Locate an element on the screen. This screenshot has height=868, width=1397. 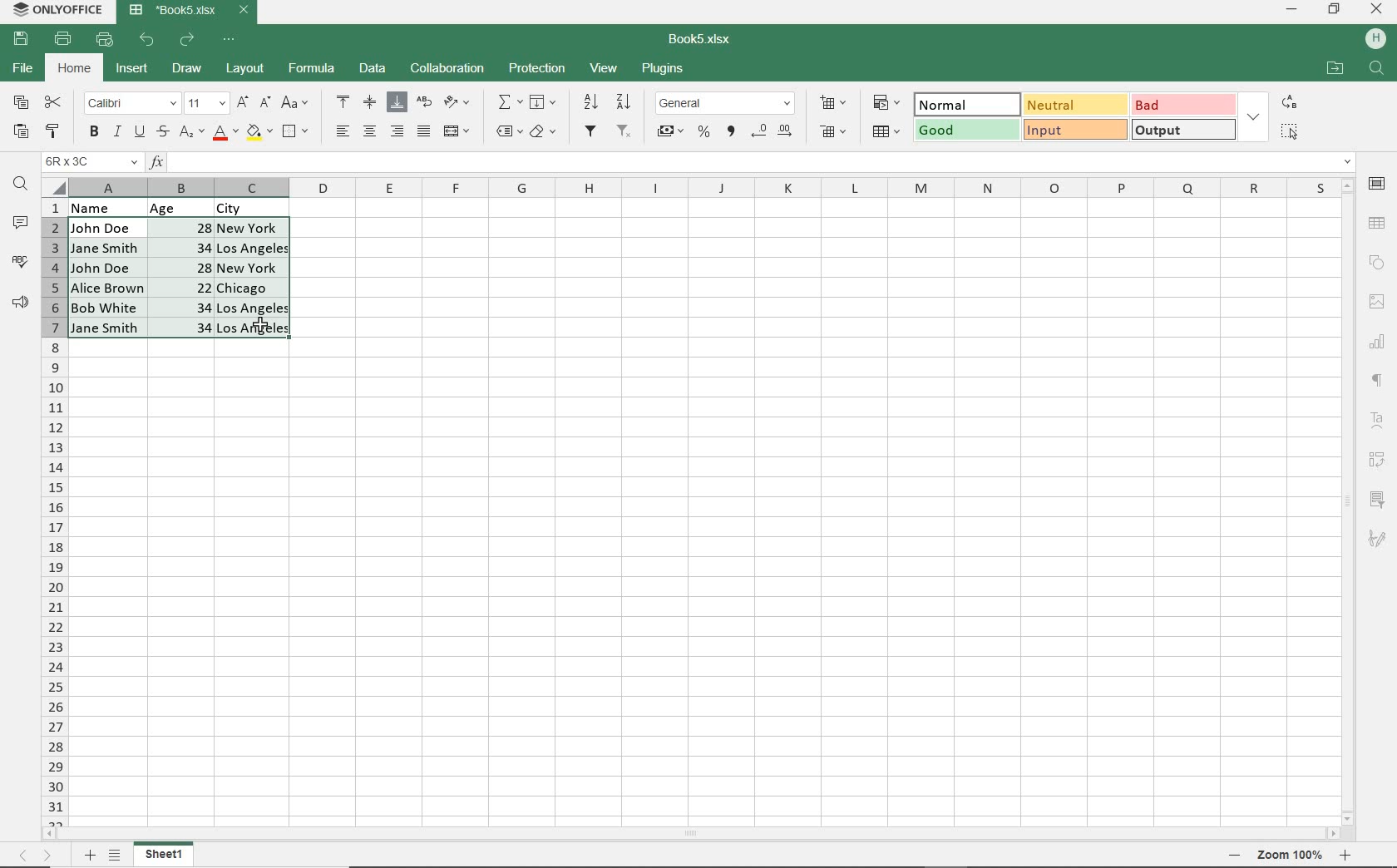
INPUT is located at coordinates (1074, 130).